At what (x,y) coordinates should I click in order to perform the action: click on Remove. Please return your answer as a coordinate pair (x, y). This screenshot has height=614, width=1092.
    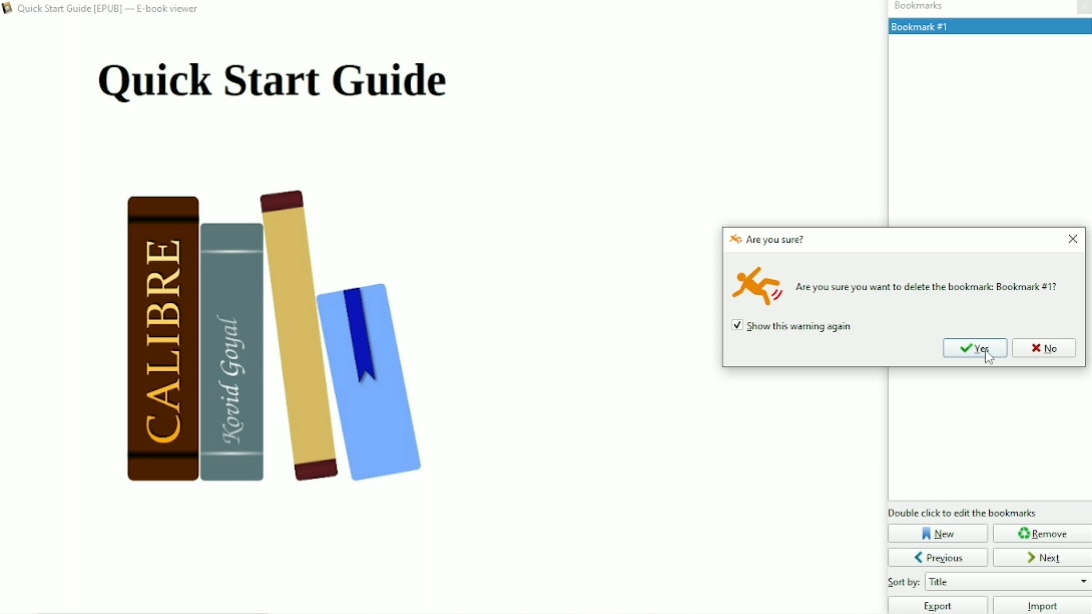
    Looking at the image, I should click on (1044, 534).